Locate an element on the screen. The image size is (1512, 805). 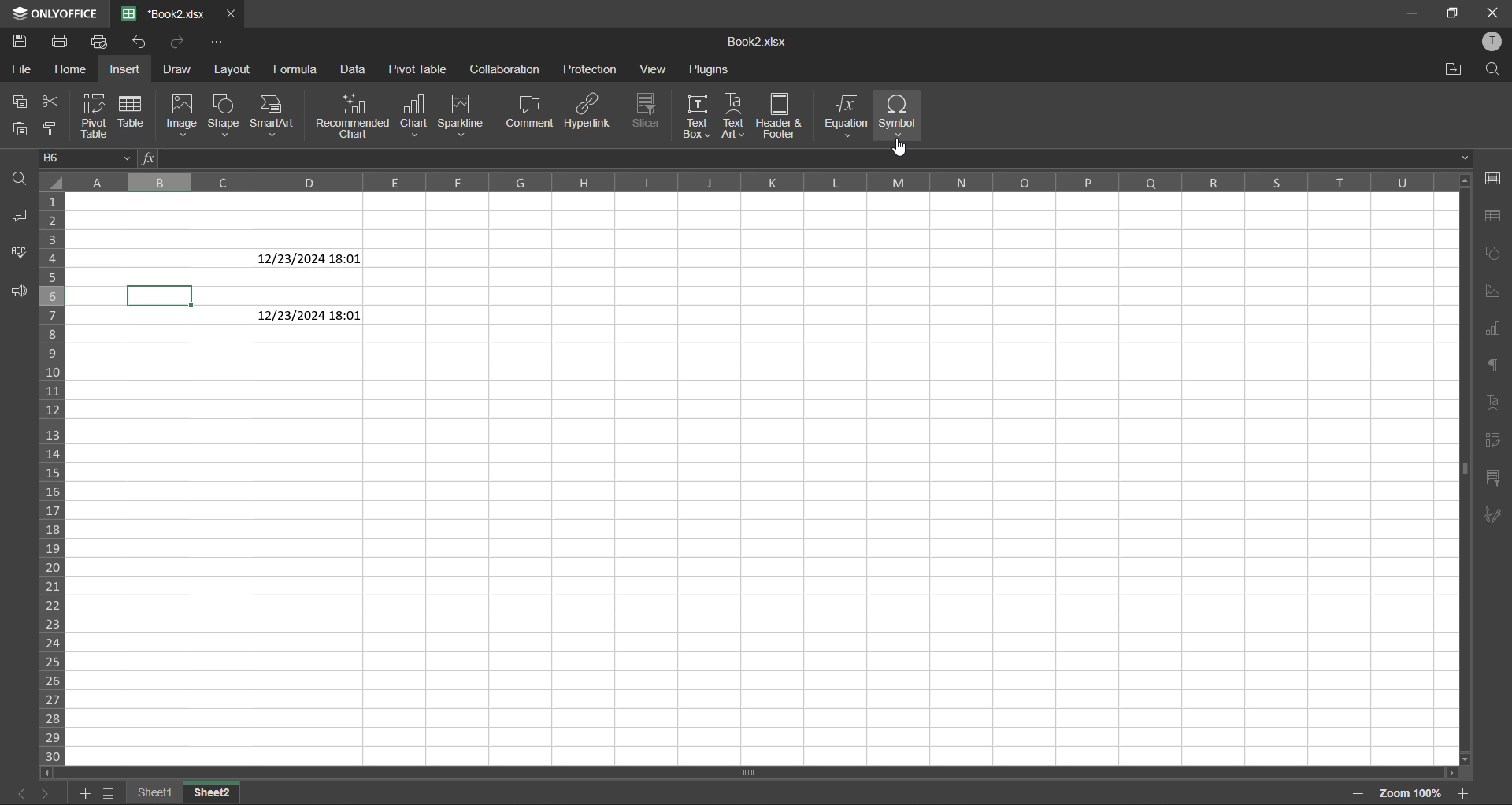
equation is located at coordinates (848, 116).